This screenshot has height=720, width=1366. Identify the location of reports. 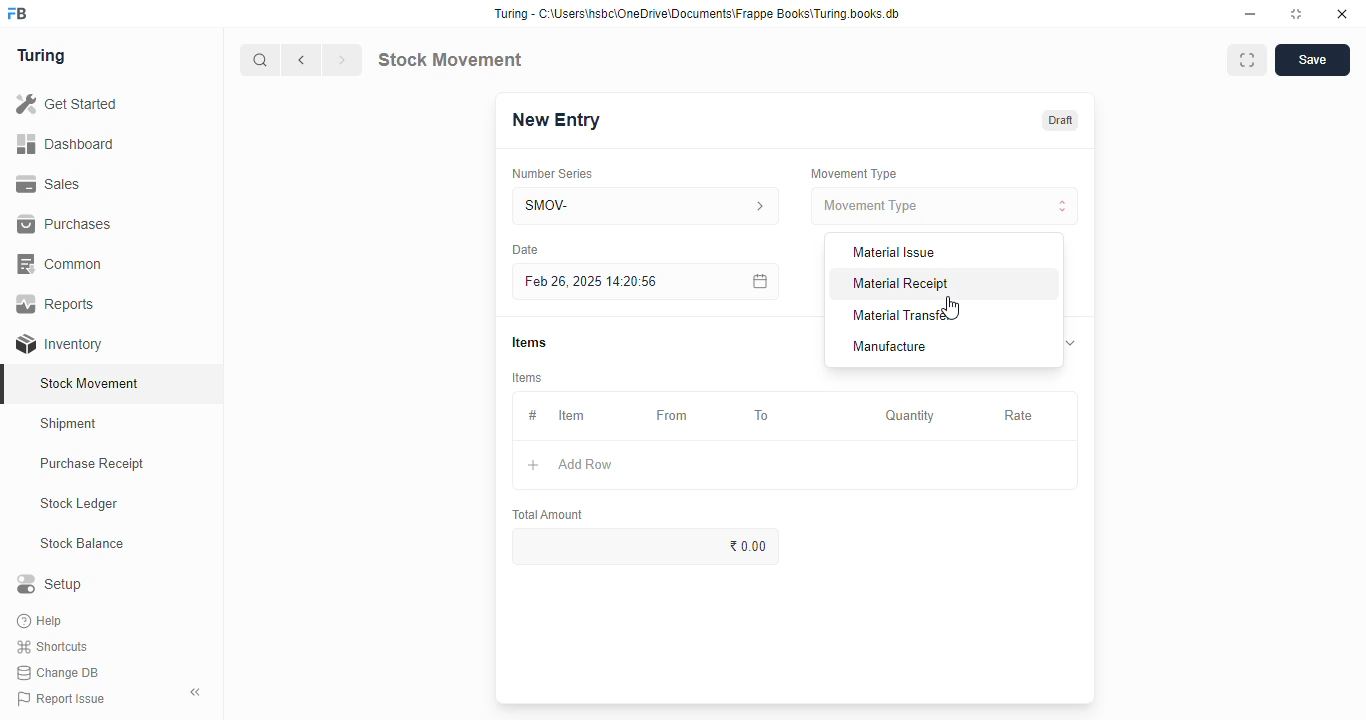
(57, 303).